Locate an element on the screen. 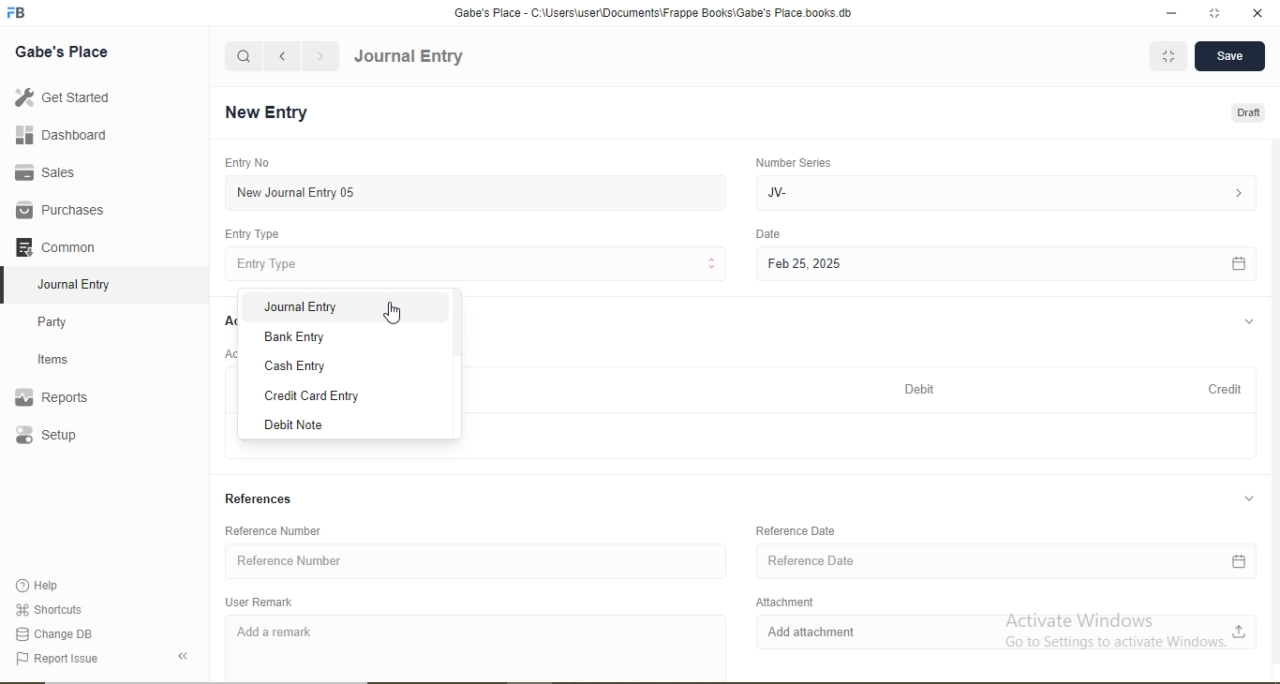 The image size is (1280, 684). Draft is located at coordinates (1250, 114).